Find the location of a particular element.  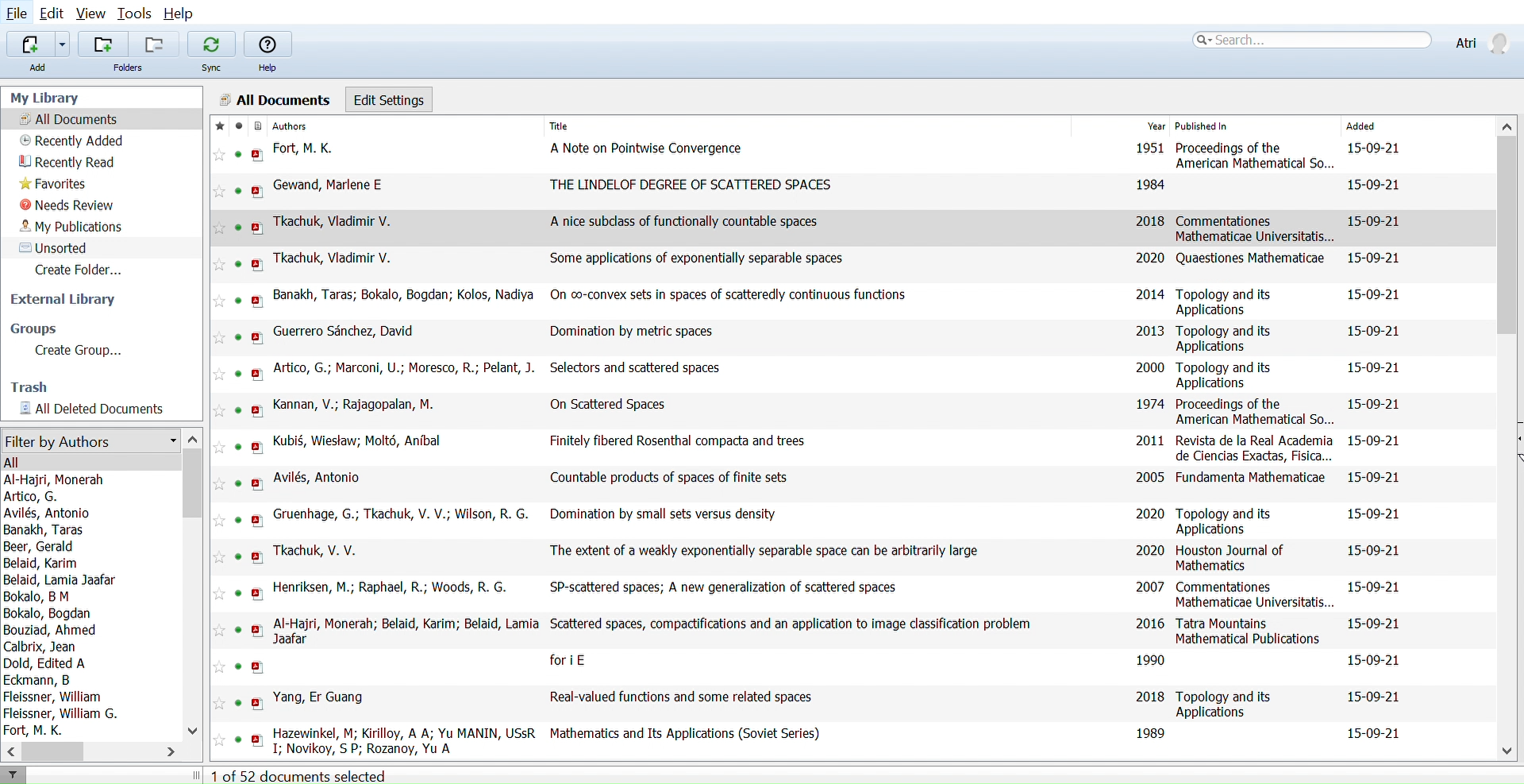

Proceedings of the American Mathematical So... is located at coordinates (1256, 156).